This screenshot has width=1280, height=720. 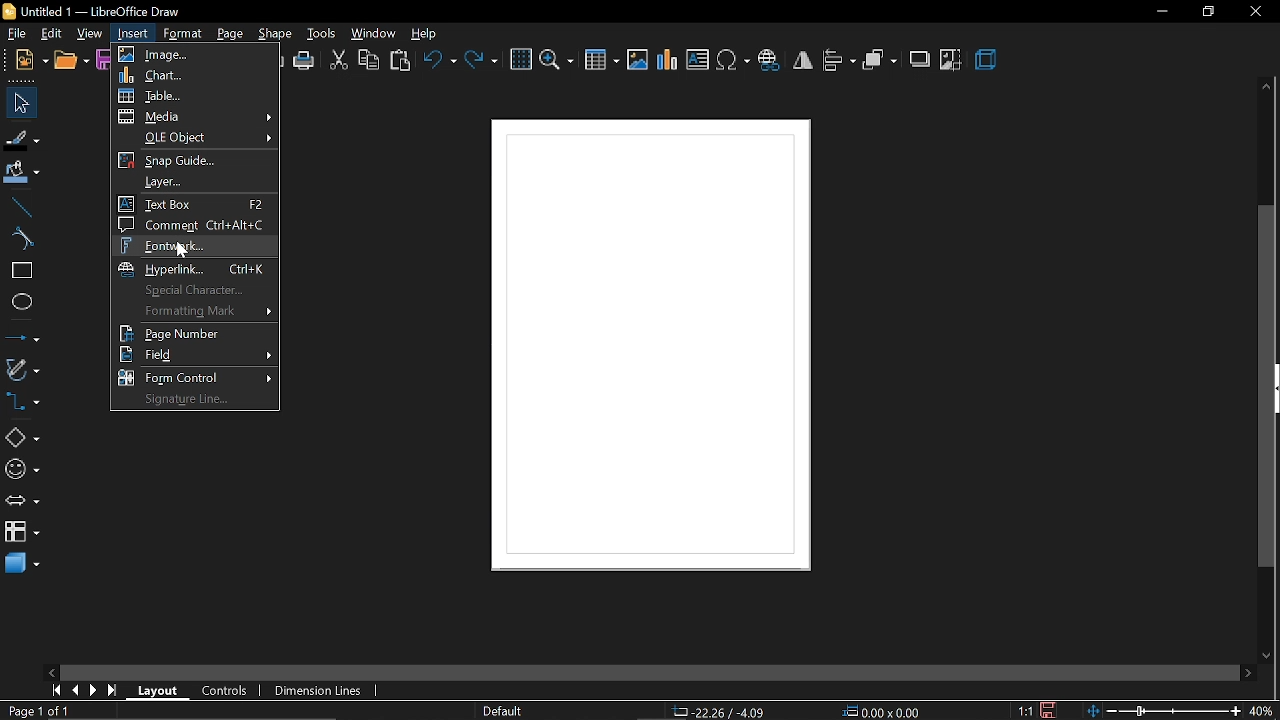 What do you see at coordinates (194, 97) in the screenshot?
I see `table` at bounding box center [194, 97].